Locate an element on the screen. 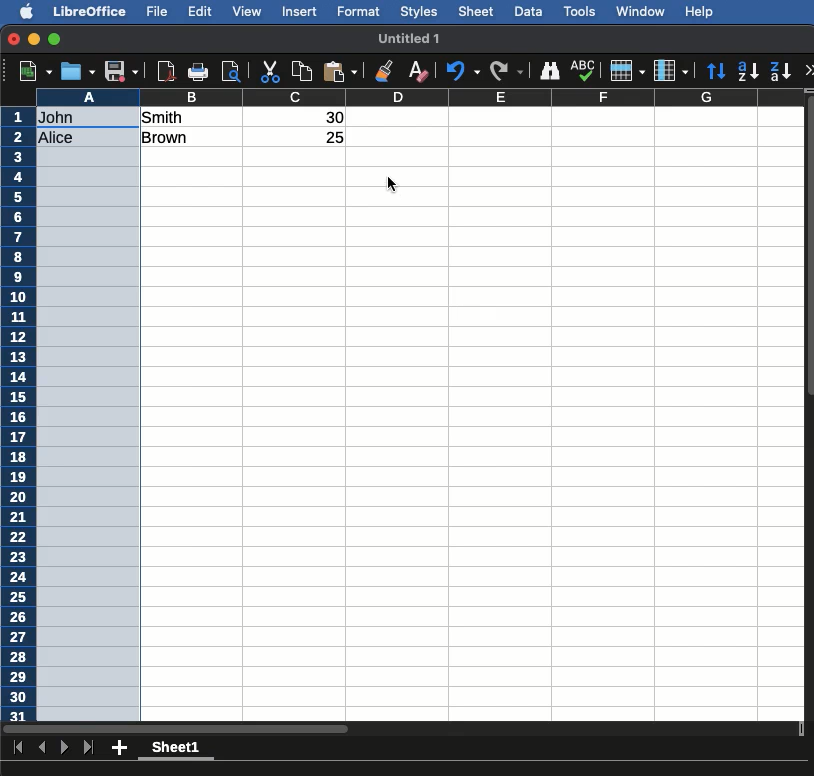 The width and height of the screenshot is (814, 776). Rows is located at coordinates (628, 69).